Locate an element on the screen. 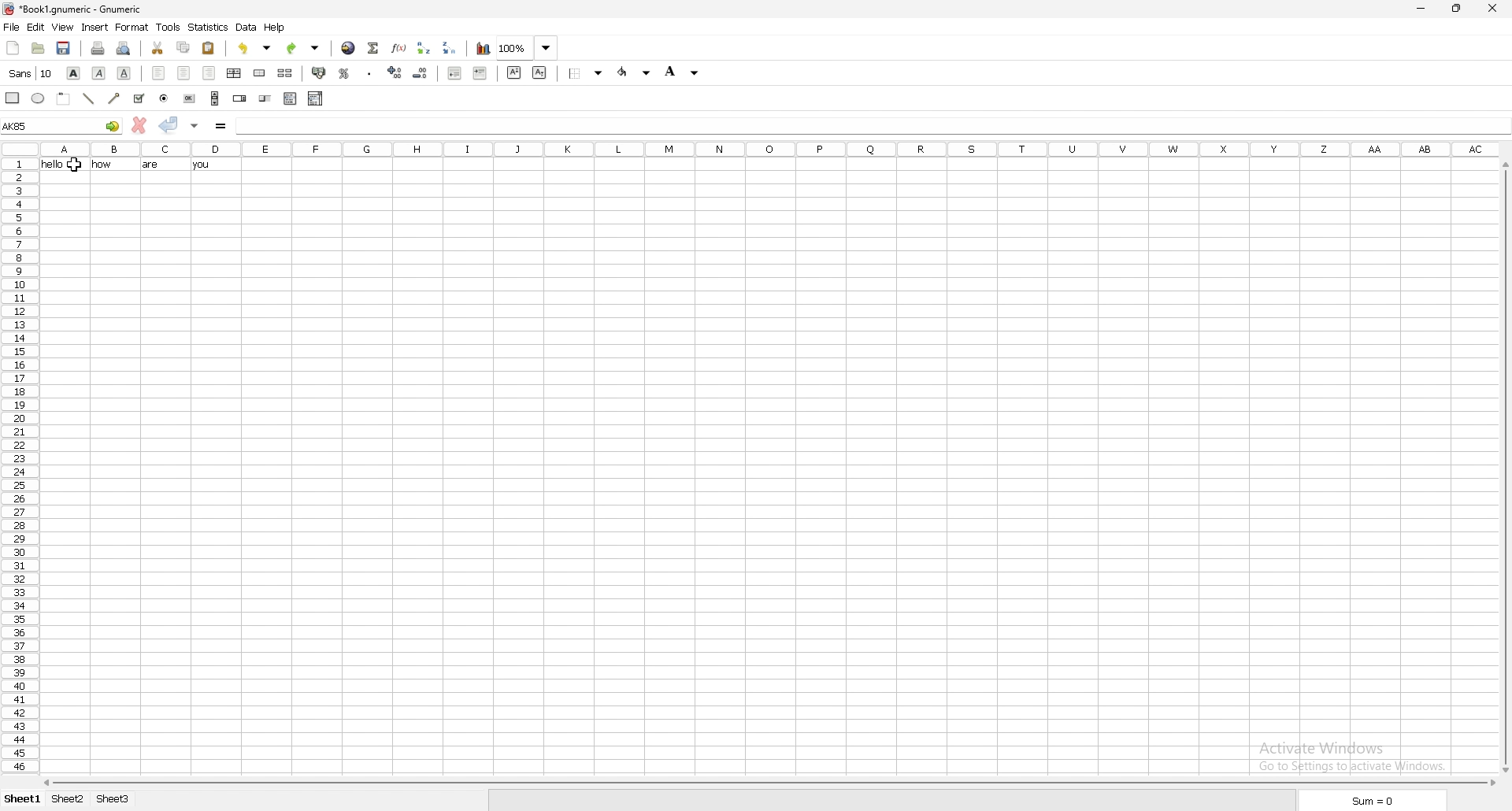 The width and height of the screenshot is (1512, 811). help is located at coordinates (276, 28).